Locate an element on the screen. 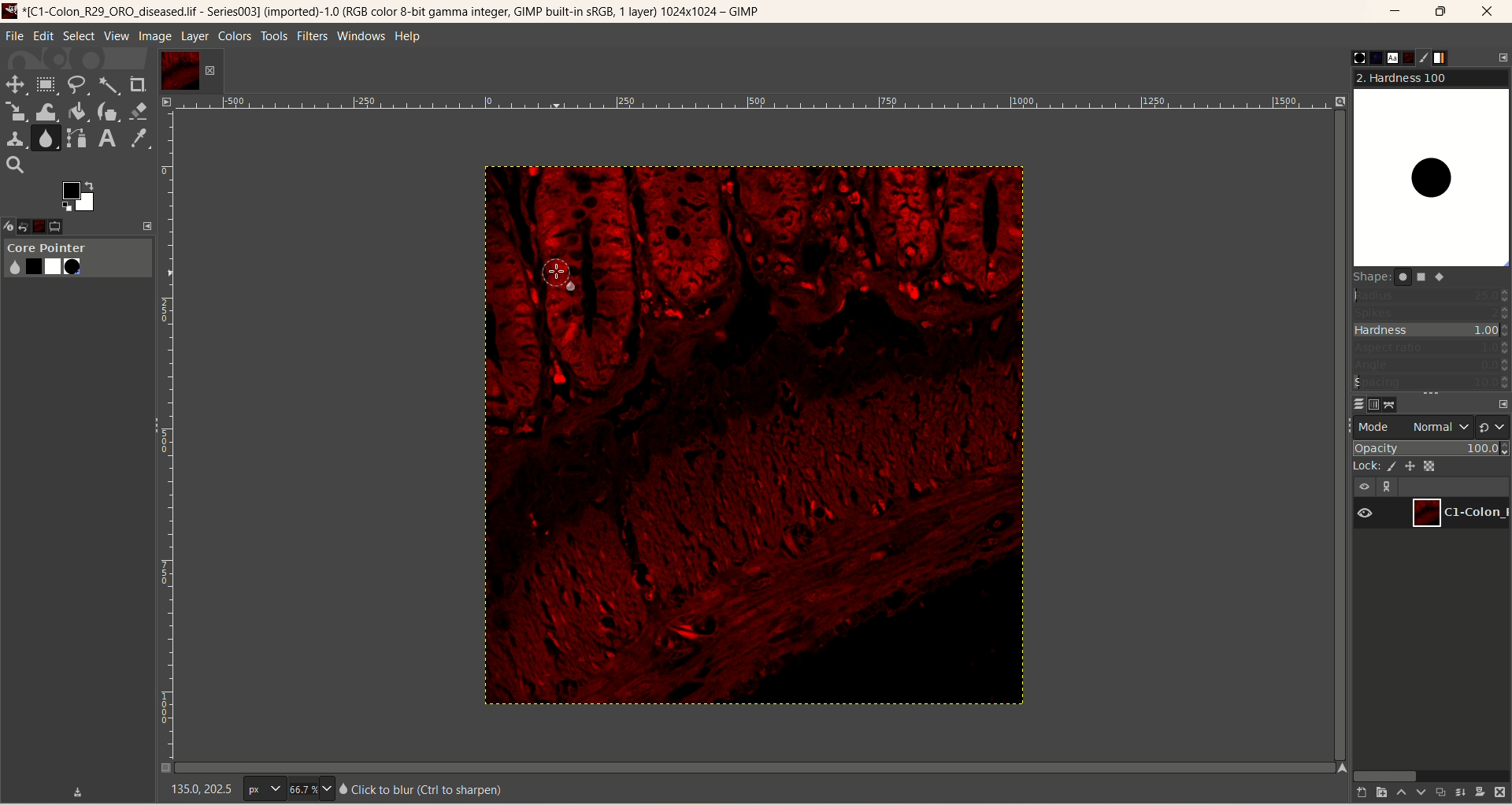 The height and width of the screenshot is (805, 1512). delete this layer is located at coordinates (1500, 792).